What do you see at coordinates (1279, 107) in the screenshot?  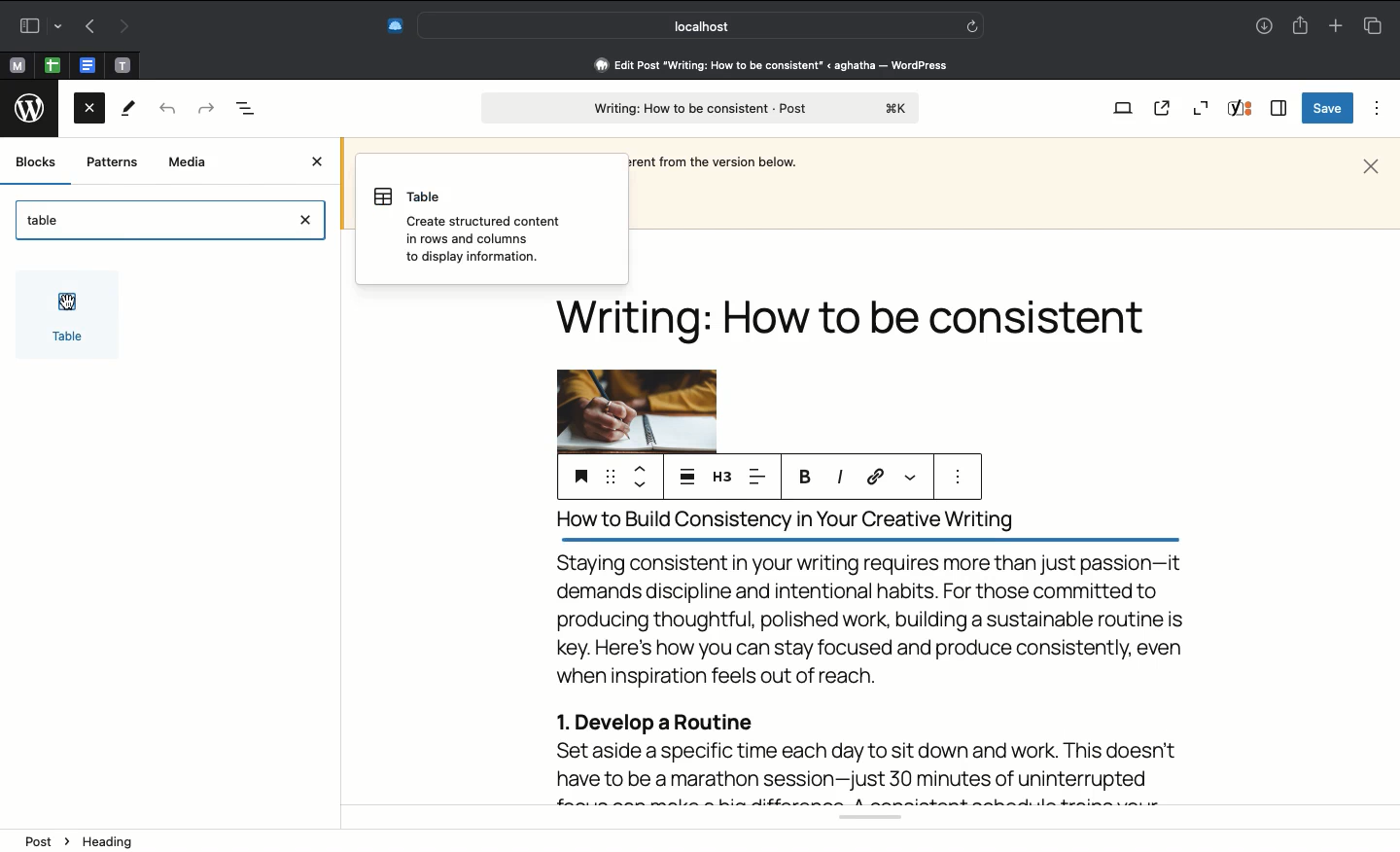 I see `Sidebar` at bounding box center [1279, 107].